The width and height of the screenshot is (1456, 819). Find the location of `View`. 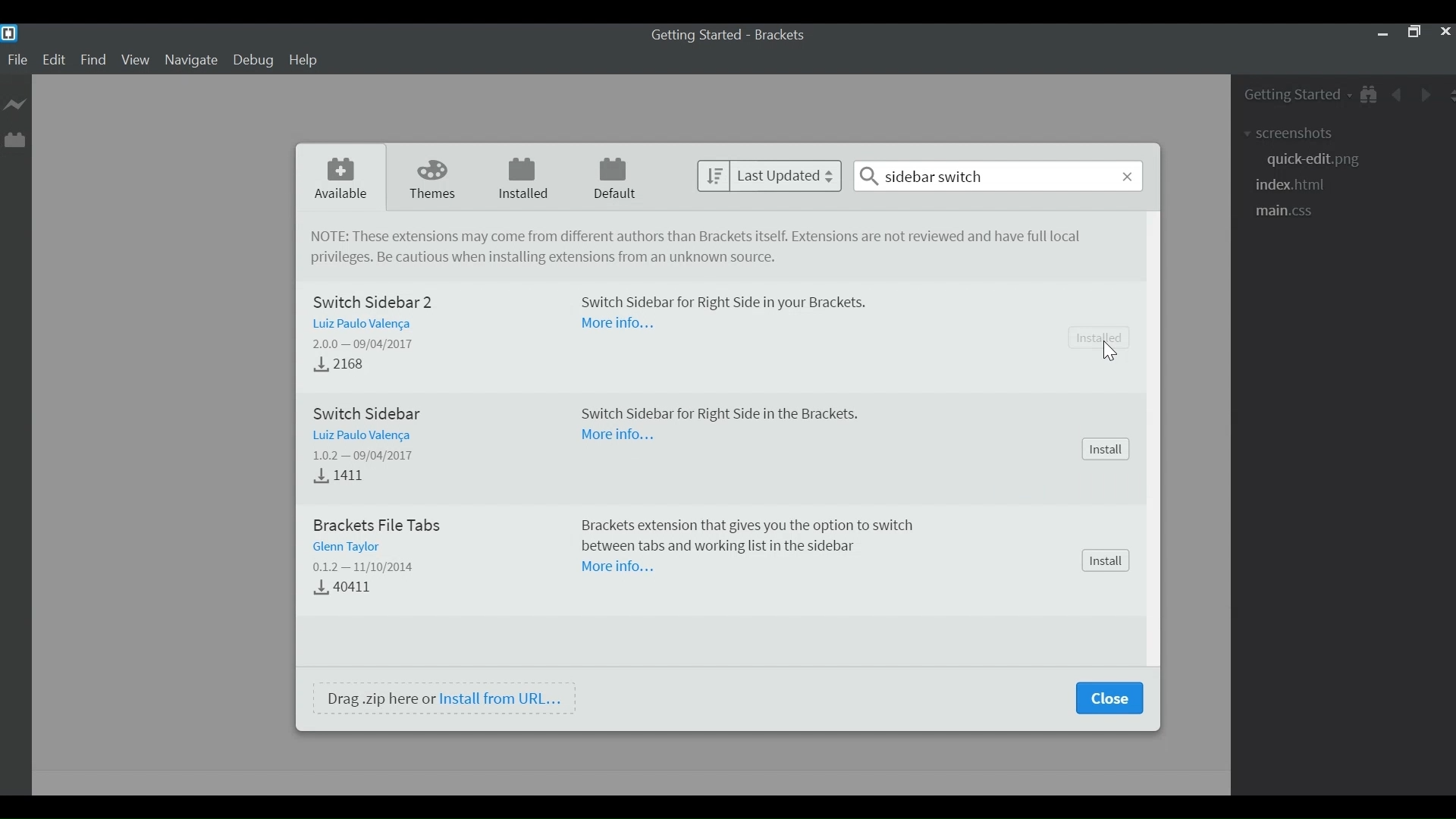

View is located at coordinates (136, 61).